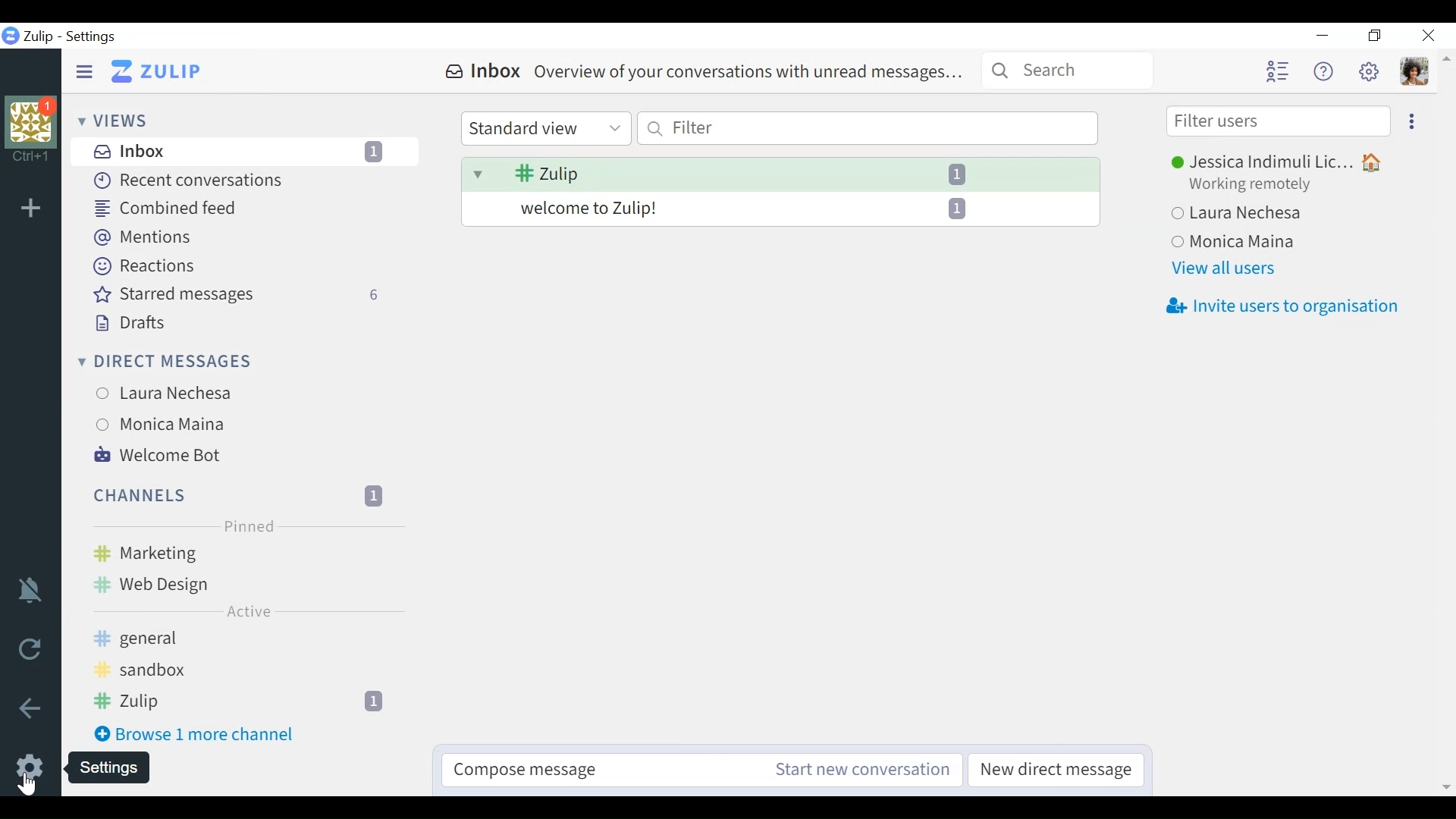 The image size is (1456, 819). Describe the element at coordinates (1376, 36) in the screenshot. I see `Restore` at that location.